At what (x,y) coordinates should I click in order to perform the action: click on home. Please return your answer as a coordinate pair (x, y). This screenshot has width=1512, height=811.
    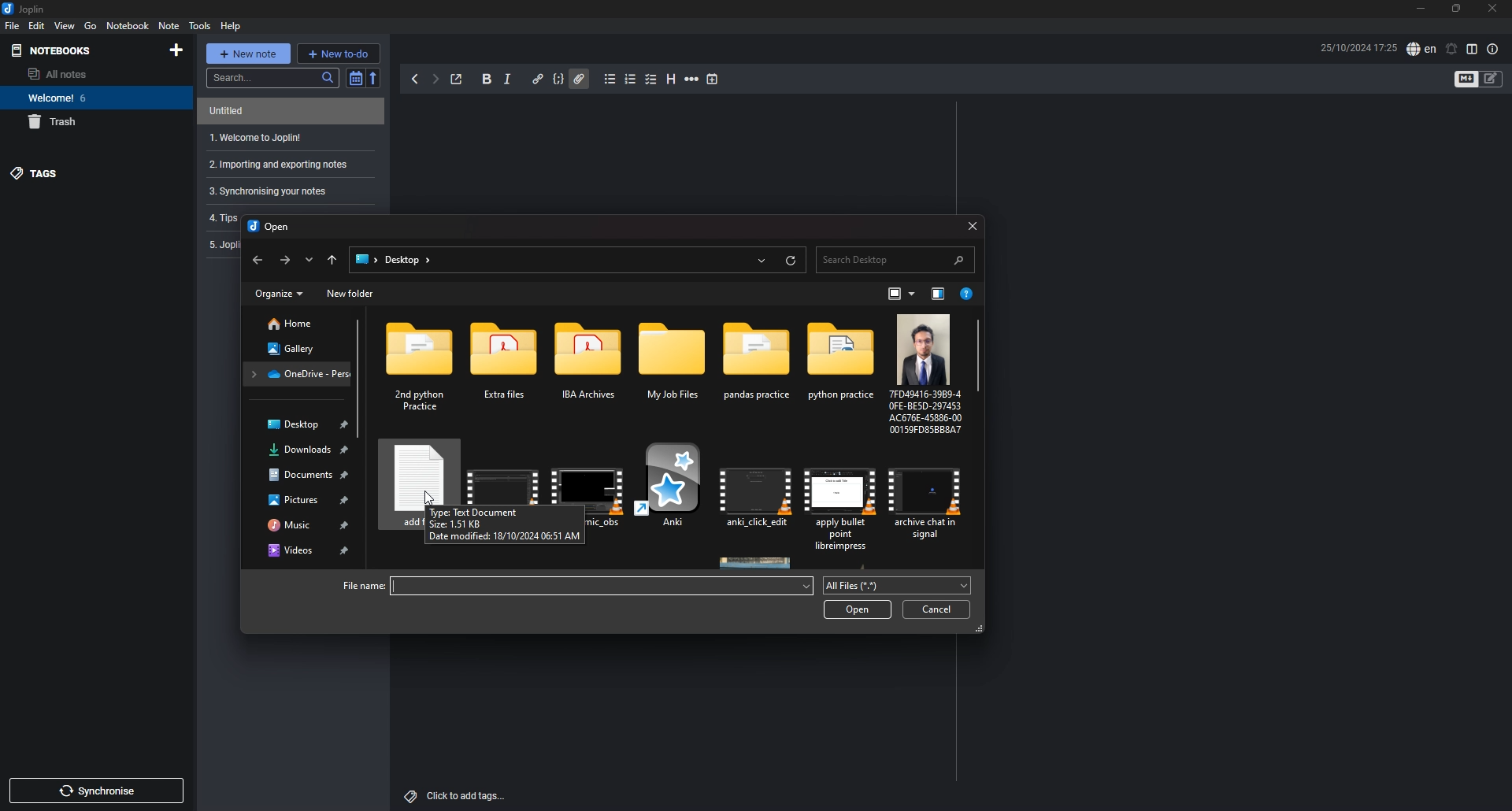
    Looking at the image, I should click on (298, 324).